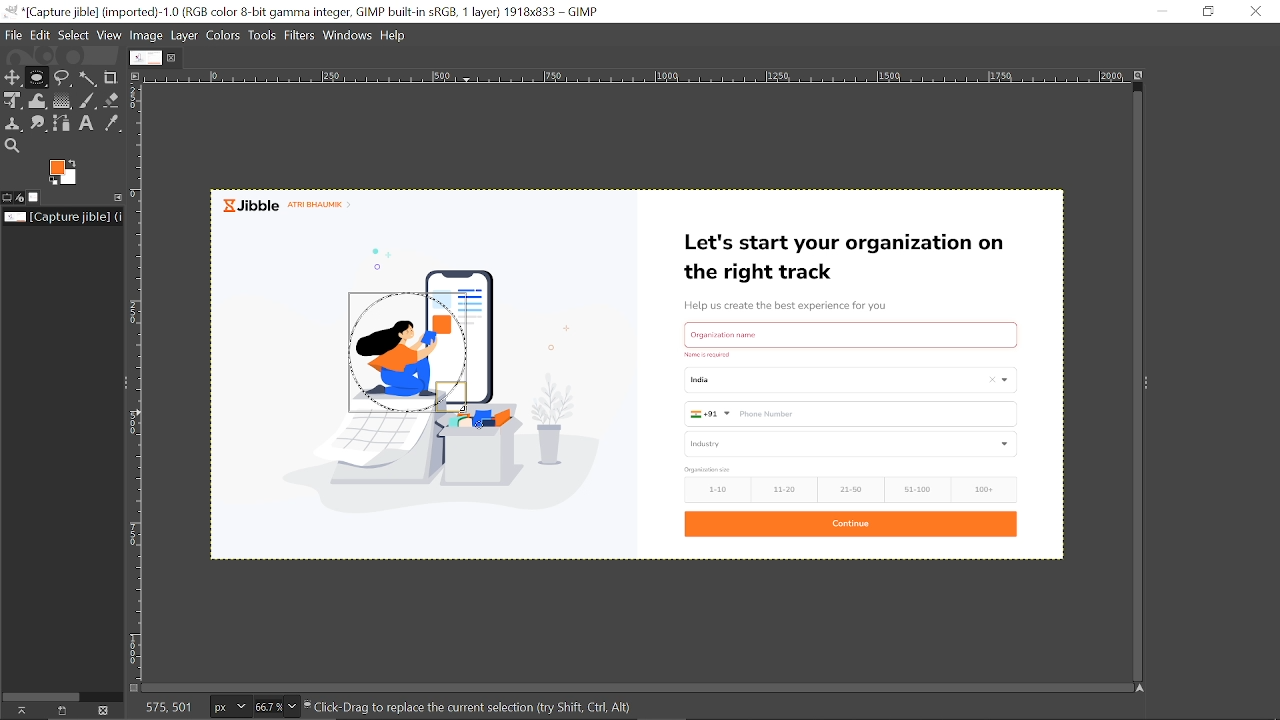  What do you see at coordinates (1136, 76) in the screenshot?
I see `Zoom image when window size change` at bounding box center [1136, 76].